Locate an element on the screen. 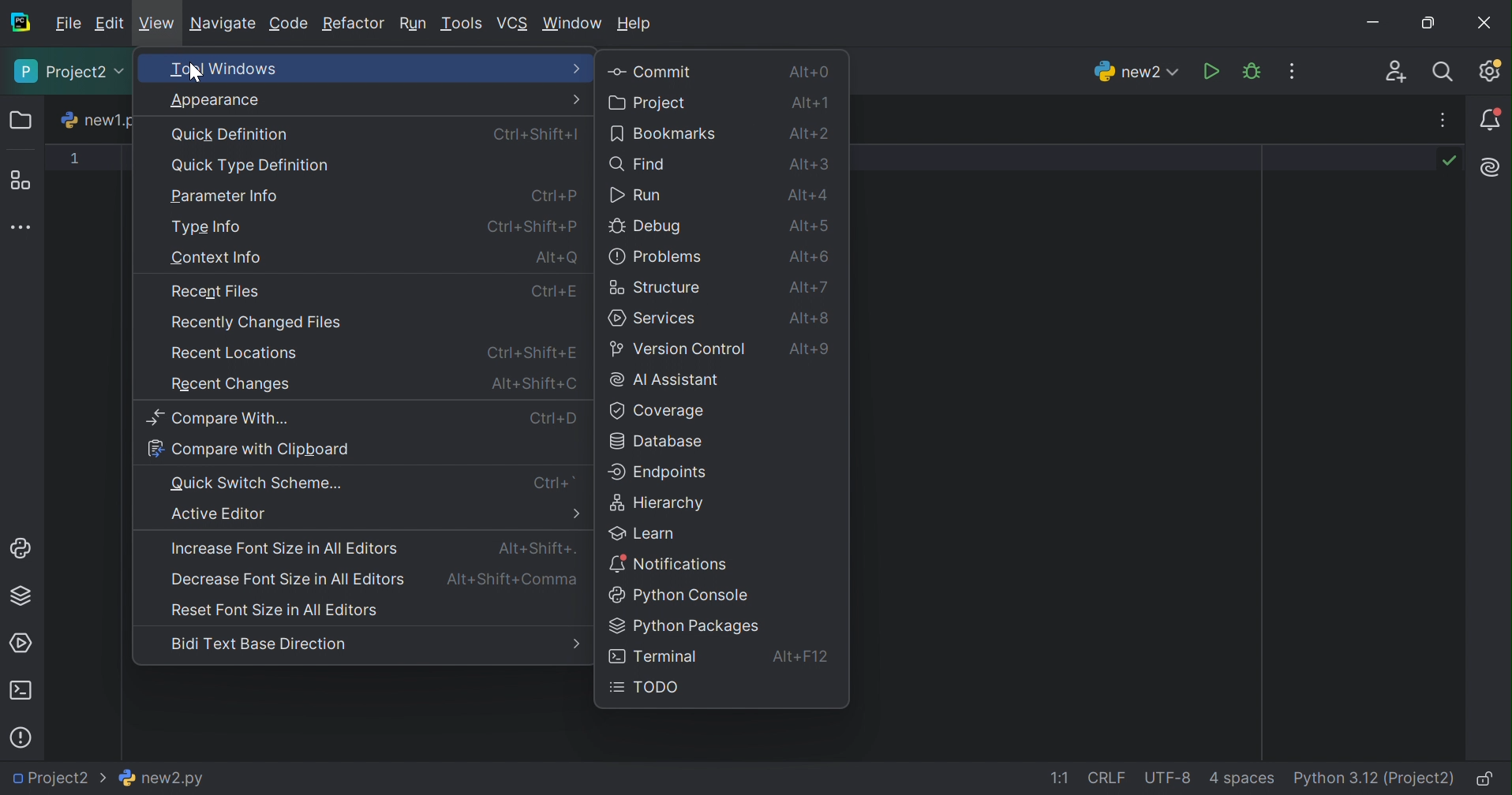 The image size is (1512, 795). Alt+0 is located at coordinates (808, 72).